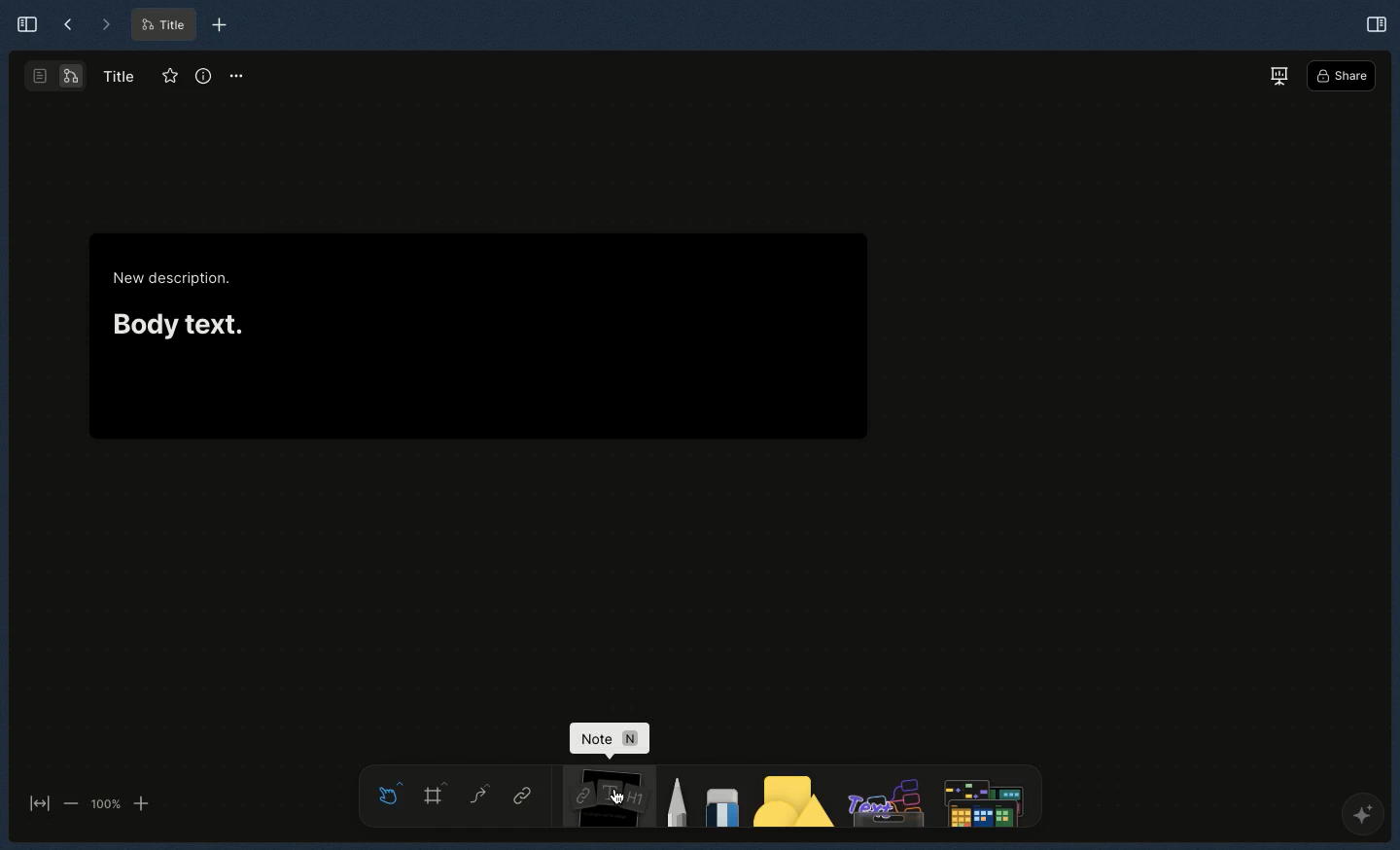 This screenshot has height=850, width=1400. What do you see at coordinates (141, 804) in the screenshot?
I see `zoom in` at bounding box center [141, 804].